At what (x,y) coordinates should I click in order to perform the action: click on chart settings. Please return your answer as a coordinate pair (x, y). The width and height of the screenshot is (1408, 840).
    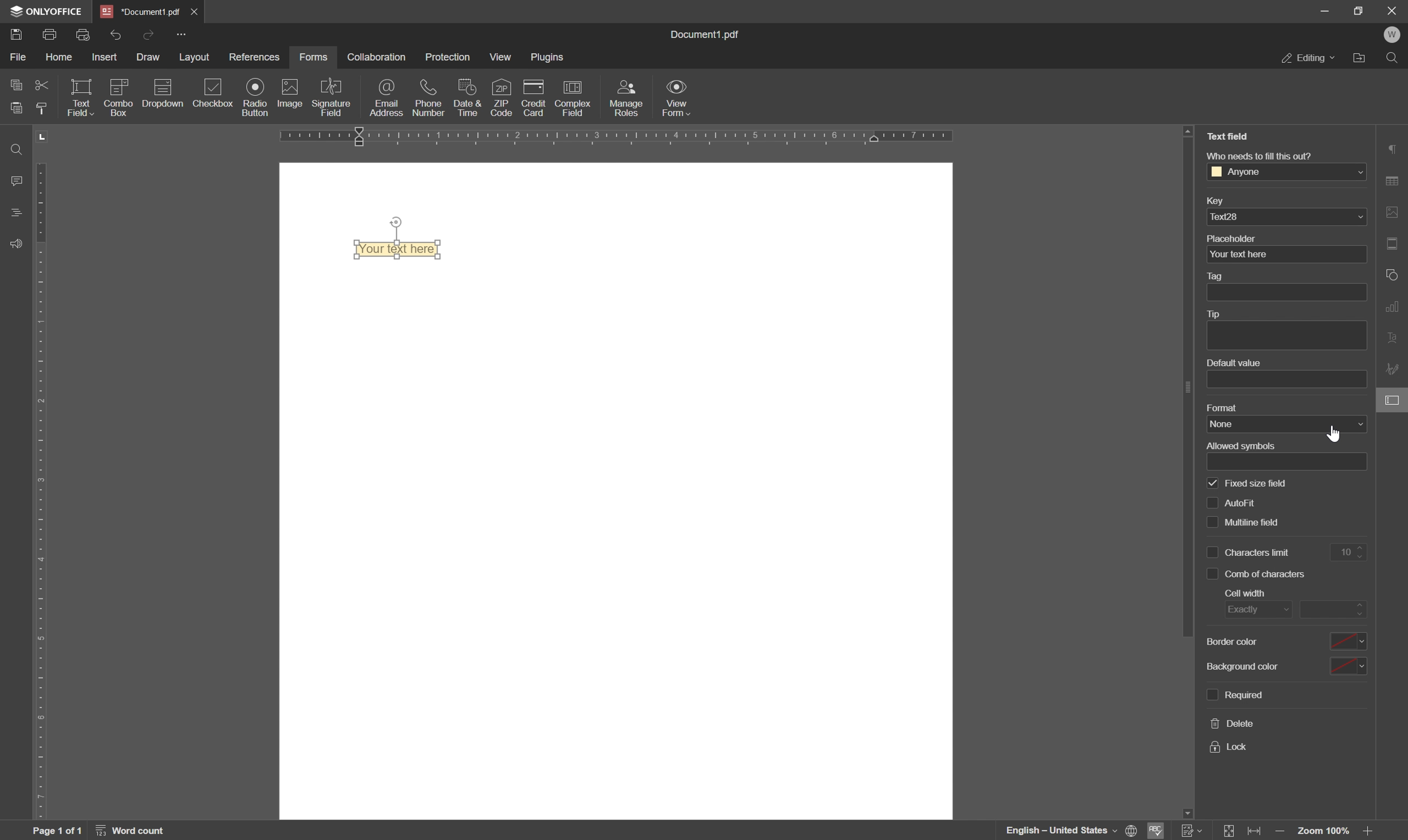
    Looking at the image, I should click on (1392, 306).